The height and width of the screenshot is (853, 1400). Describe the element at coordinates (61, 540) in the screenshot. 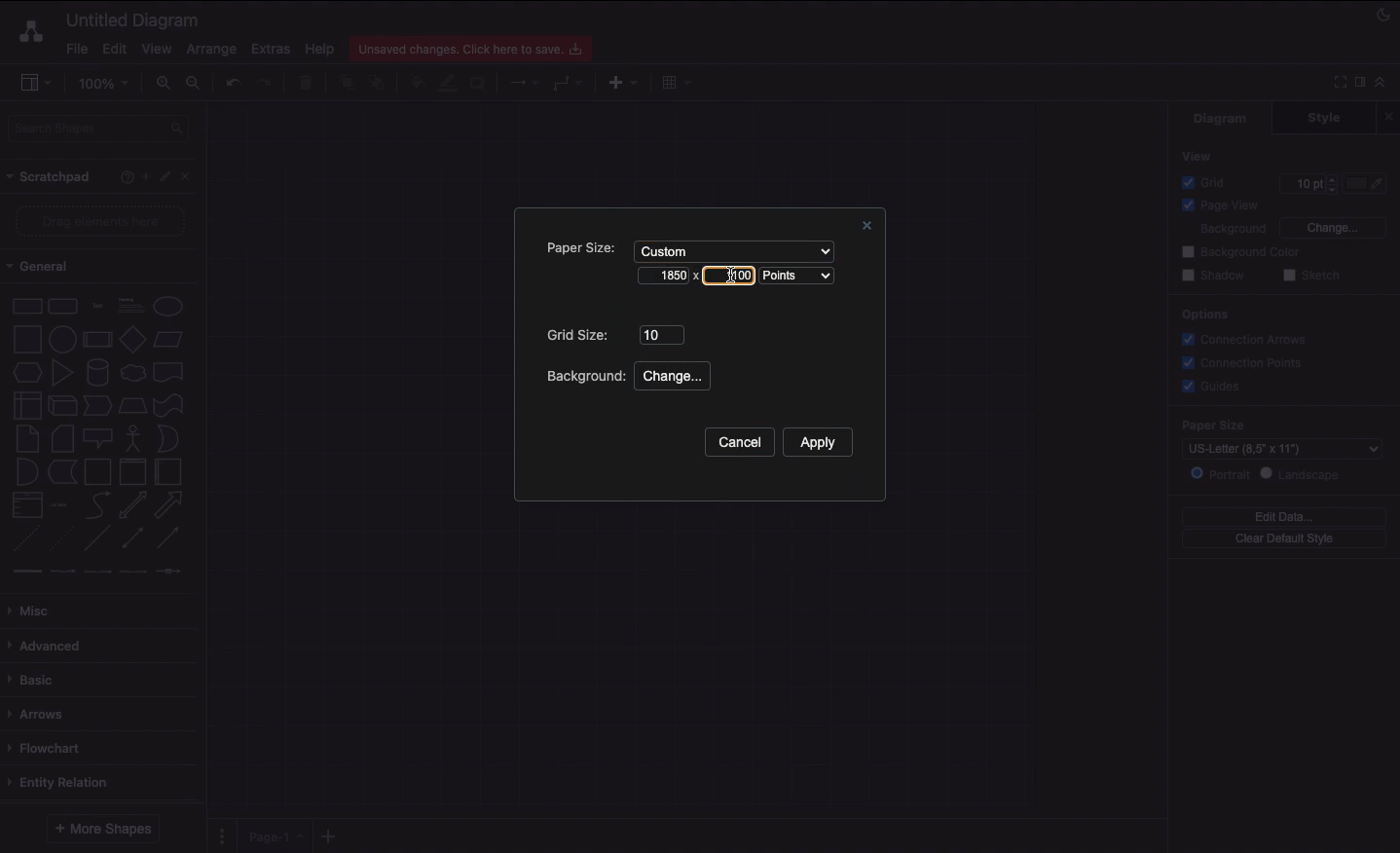

I see `Dotted line` at that location.